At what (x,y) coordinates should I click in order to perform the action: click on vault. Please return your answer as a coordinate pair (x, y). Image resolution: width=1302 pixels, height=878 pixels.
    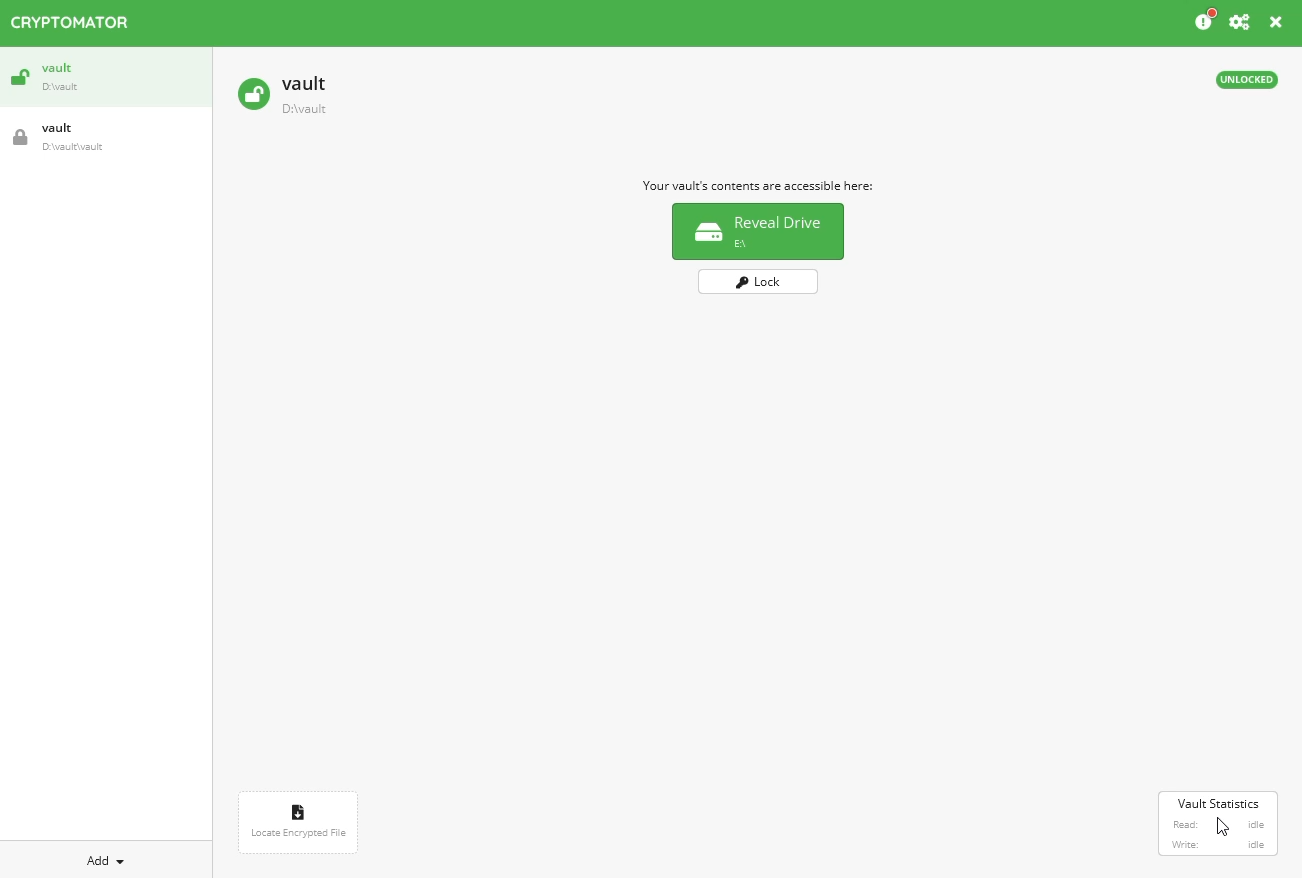
    Looking at the image, I should click on (105, 138).